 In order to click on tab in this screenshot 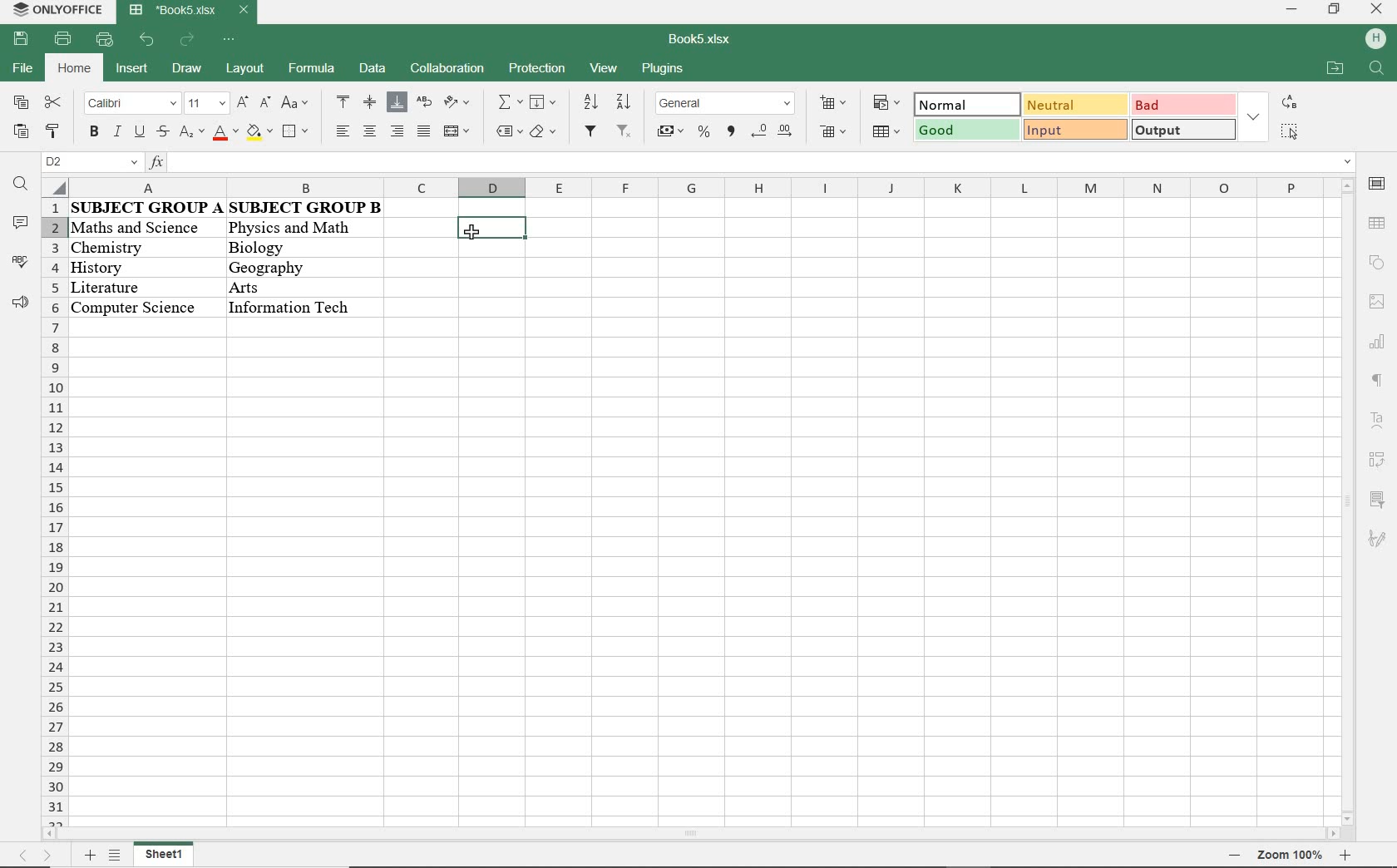, I will do `click(1288, 855)`.